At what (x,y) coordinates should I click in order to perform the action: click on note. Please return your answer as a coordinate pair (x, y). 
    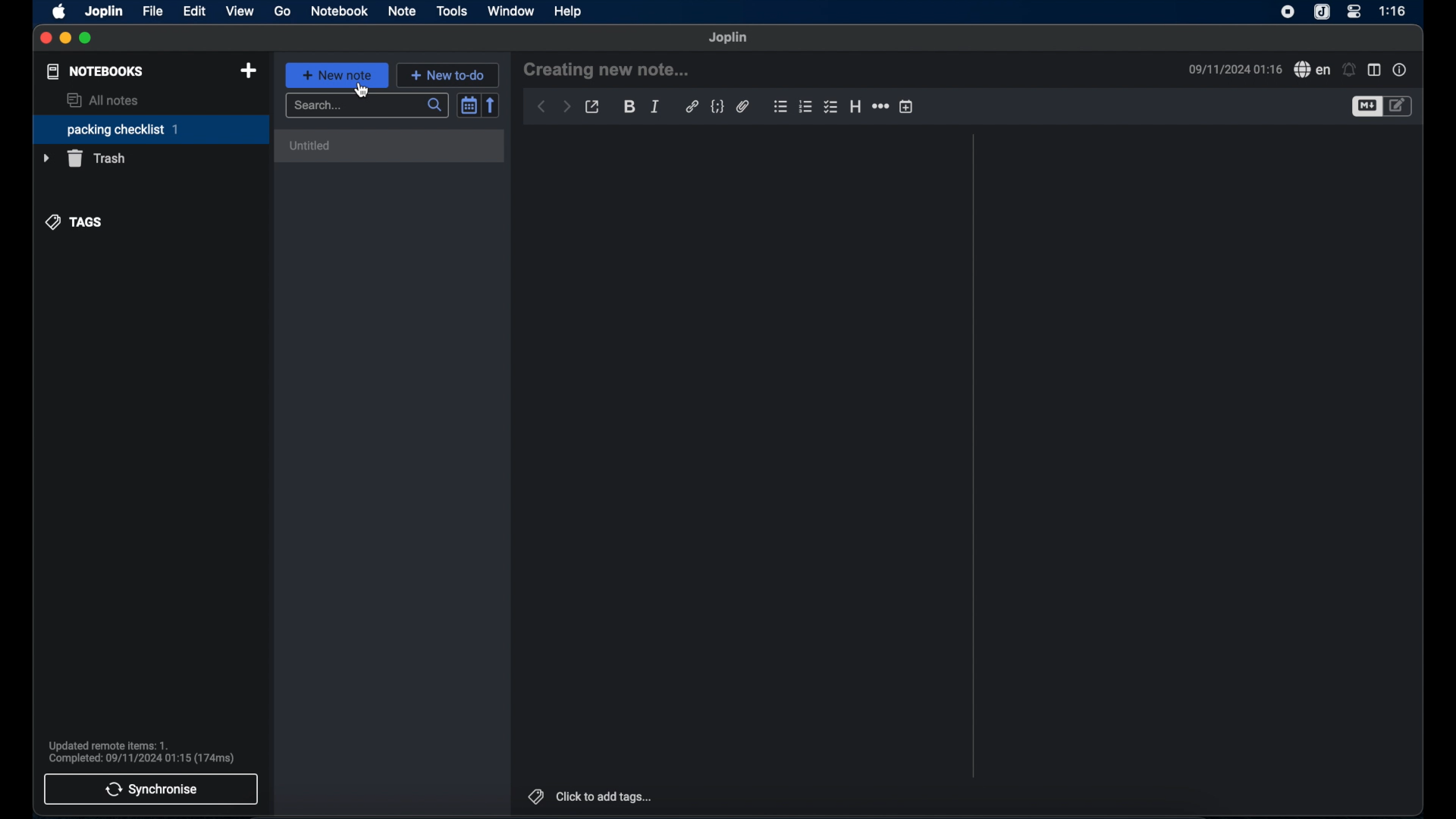
    Looking at the image, I should click on (403, 11).